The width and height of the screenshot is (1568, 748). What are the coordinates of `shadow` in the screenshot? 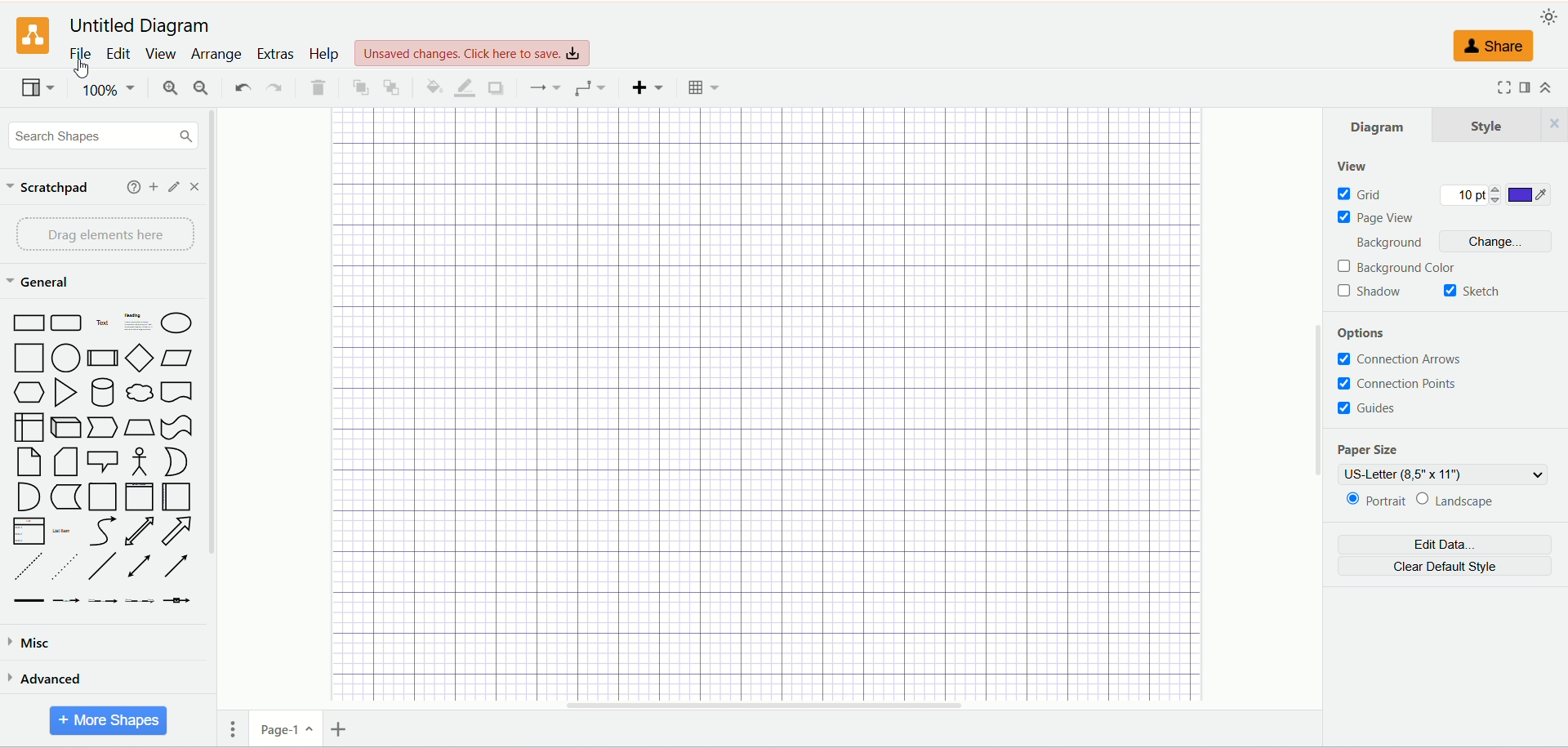 It's located at (494, 87).